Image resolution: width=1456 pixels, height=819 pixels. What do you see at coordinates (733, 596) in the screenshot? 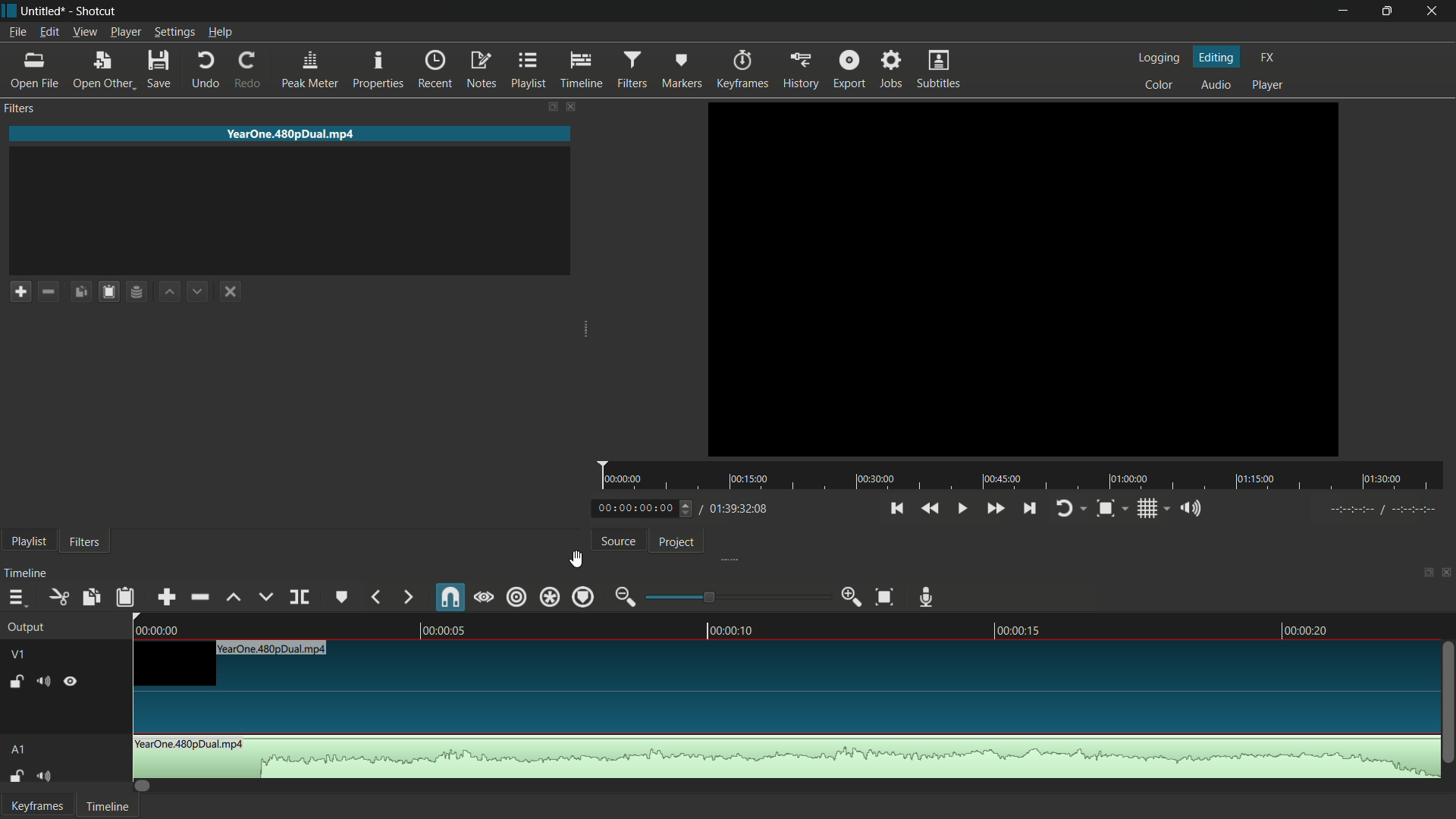
I see `adjustment bar` at bounding box center [733, 596].